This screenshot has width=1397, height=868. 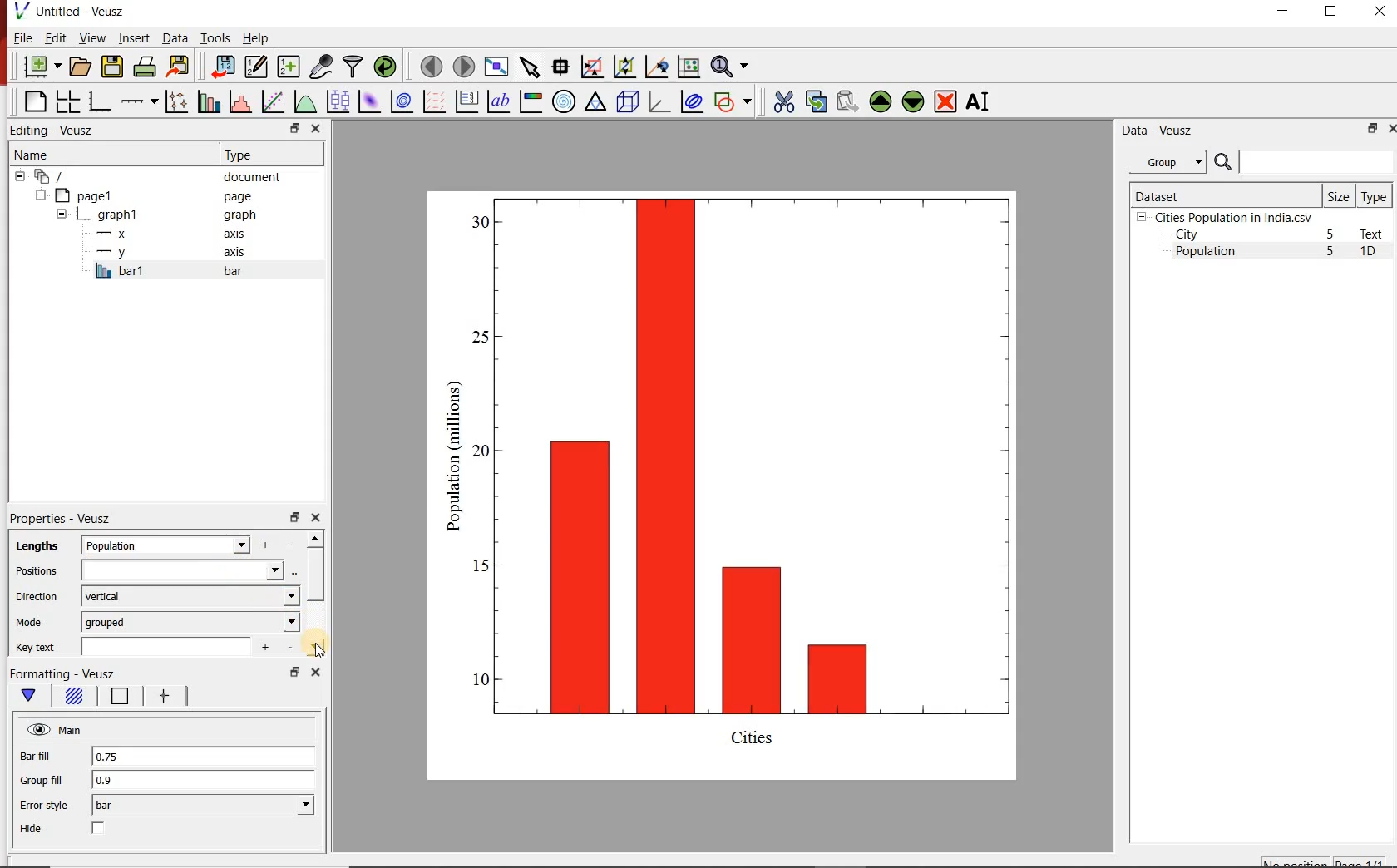 I want to click on x axis, so click(x=173, y=234).